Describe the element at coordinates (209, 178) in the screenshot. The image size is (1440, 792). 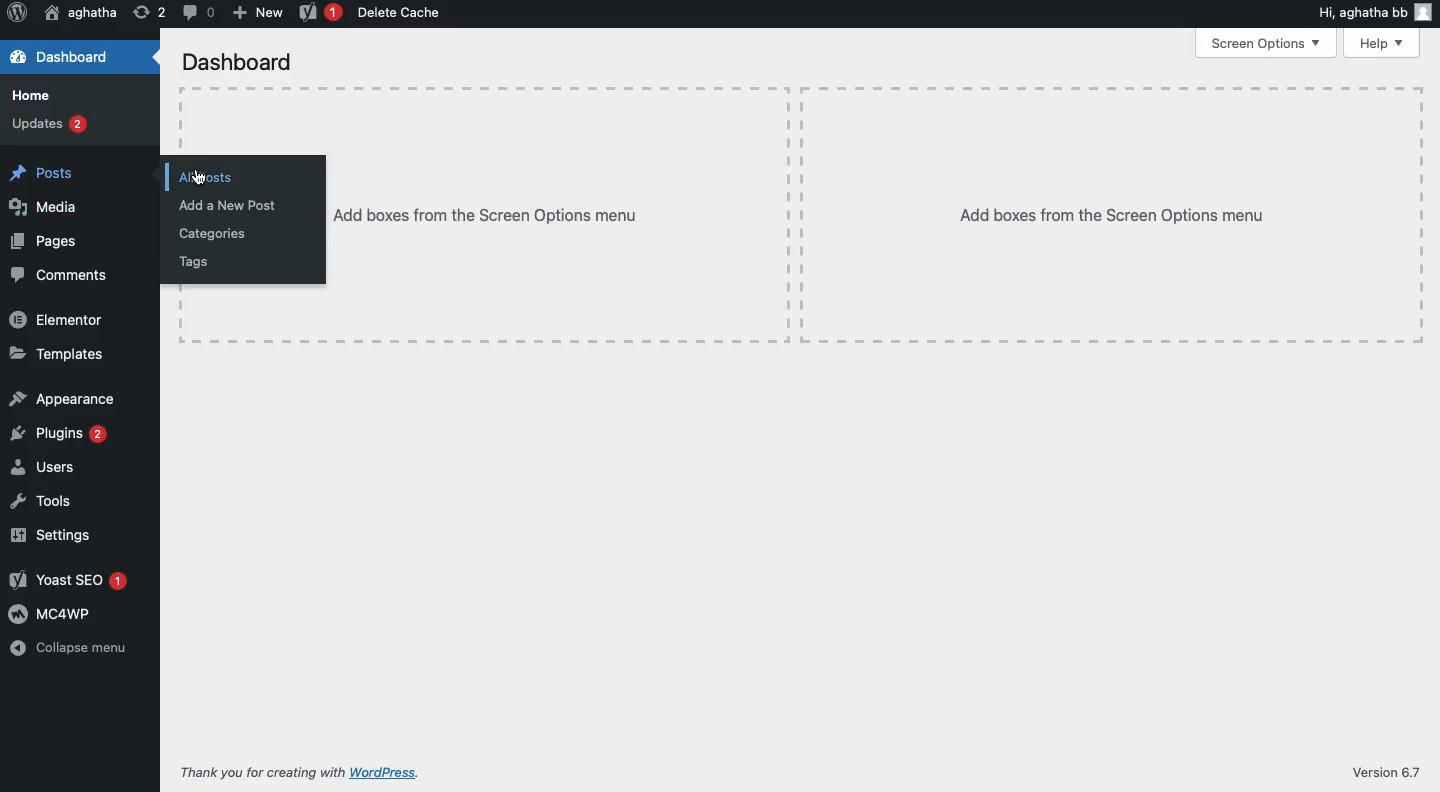
I see `All posts` at that location.